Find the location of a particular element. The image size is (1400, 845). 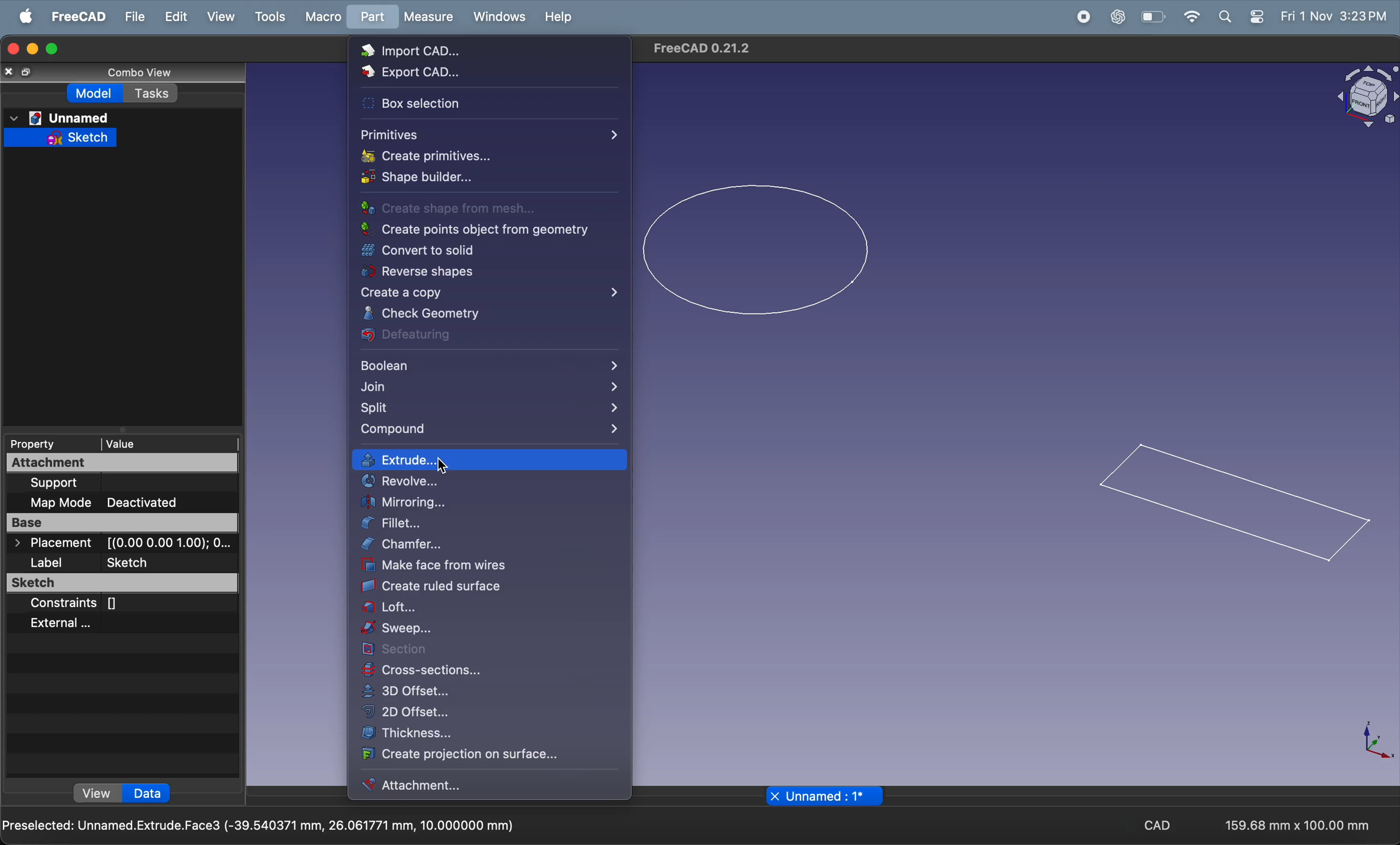

cursor is located at coordinates (444, 466).